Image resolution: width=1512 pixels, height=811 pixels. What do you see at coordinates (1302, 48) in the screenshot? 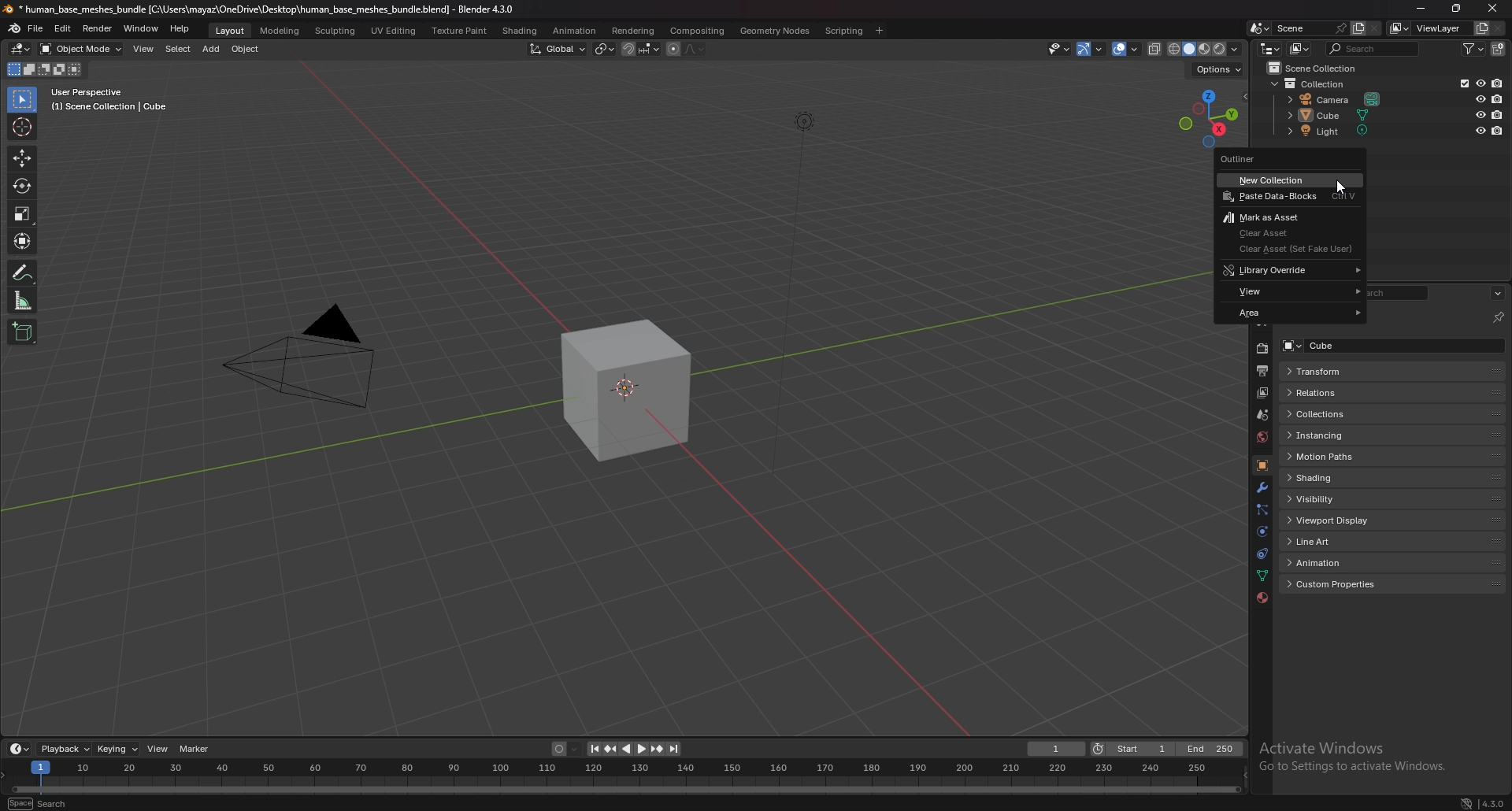
I see `display mode` at bounding box center [1302, 48].